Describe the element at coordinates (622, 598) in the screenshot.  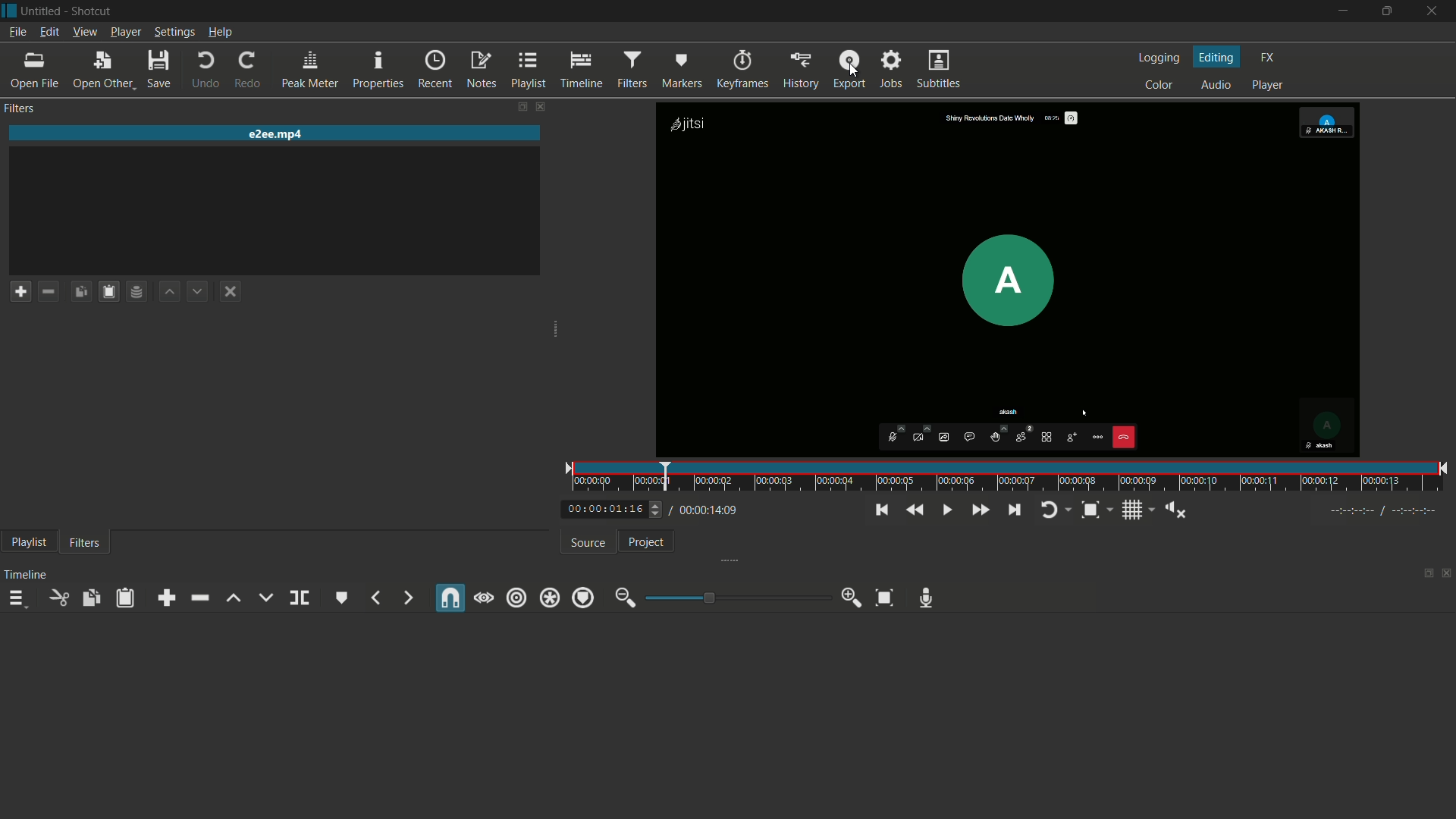
I see `zoom out` at that location.